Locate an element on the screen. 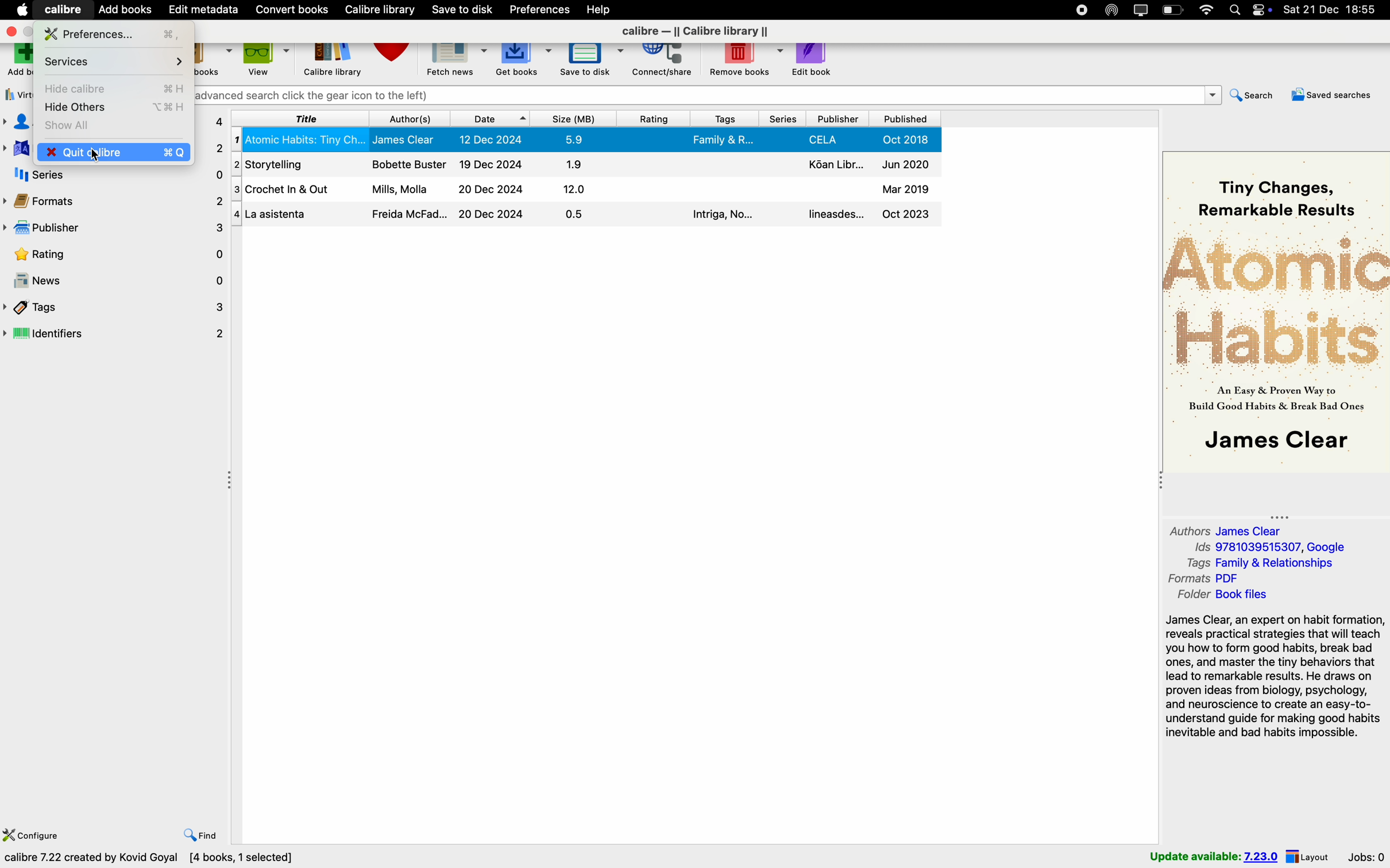 The image size is (1390, 868). saved searches is located at coordinates (1330, 98).